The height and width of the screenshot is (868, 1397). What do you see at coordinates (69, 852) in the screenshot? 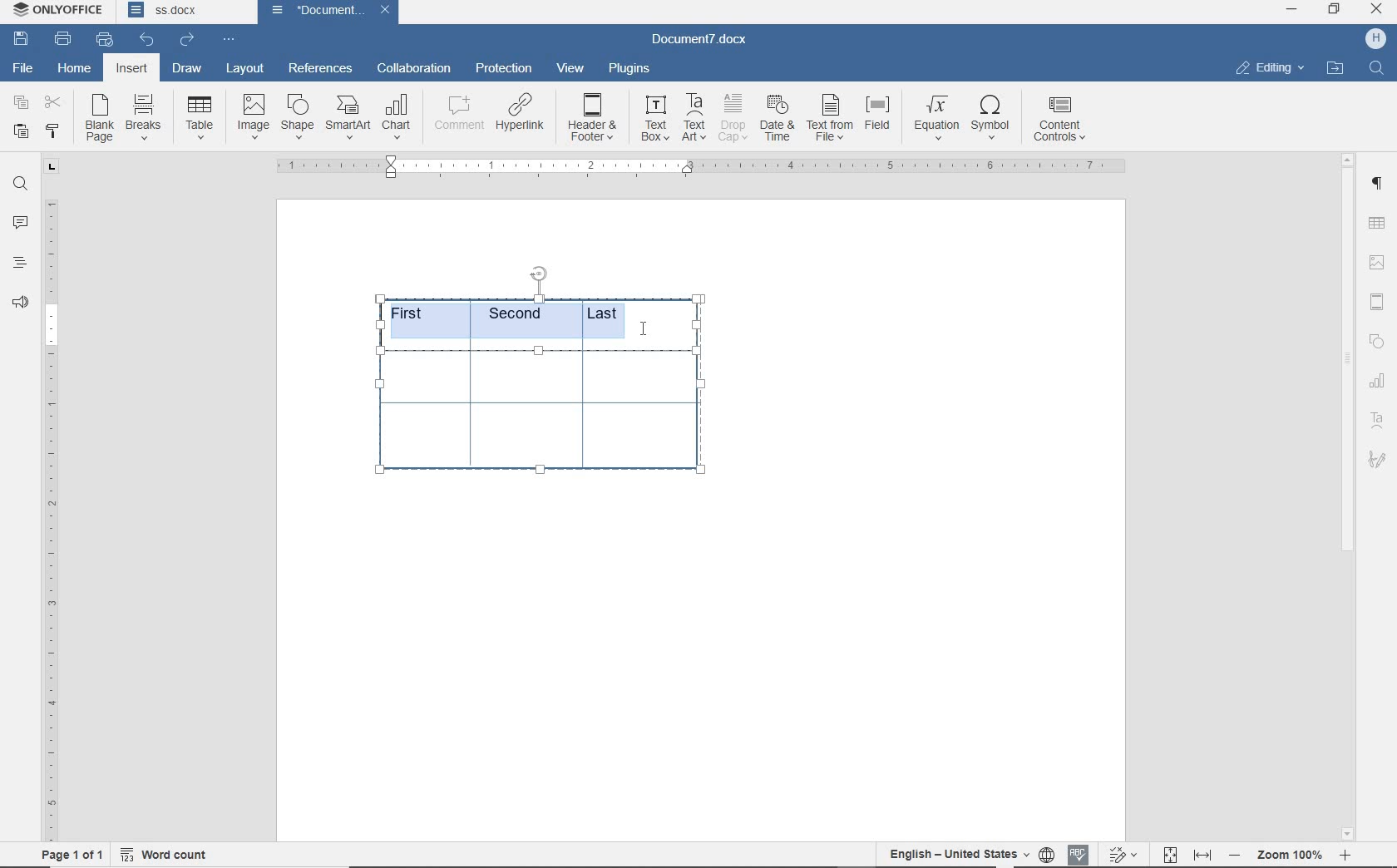
I see `page 1 of 1` at bounding box center [69, 852].